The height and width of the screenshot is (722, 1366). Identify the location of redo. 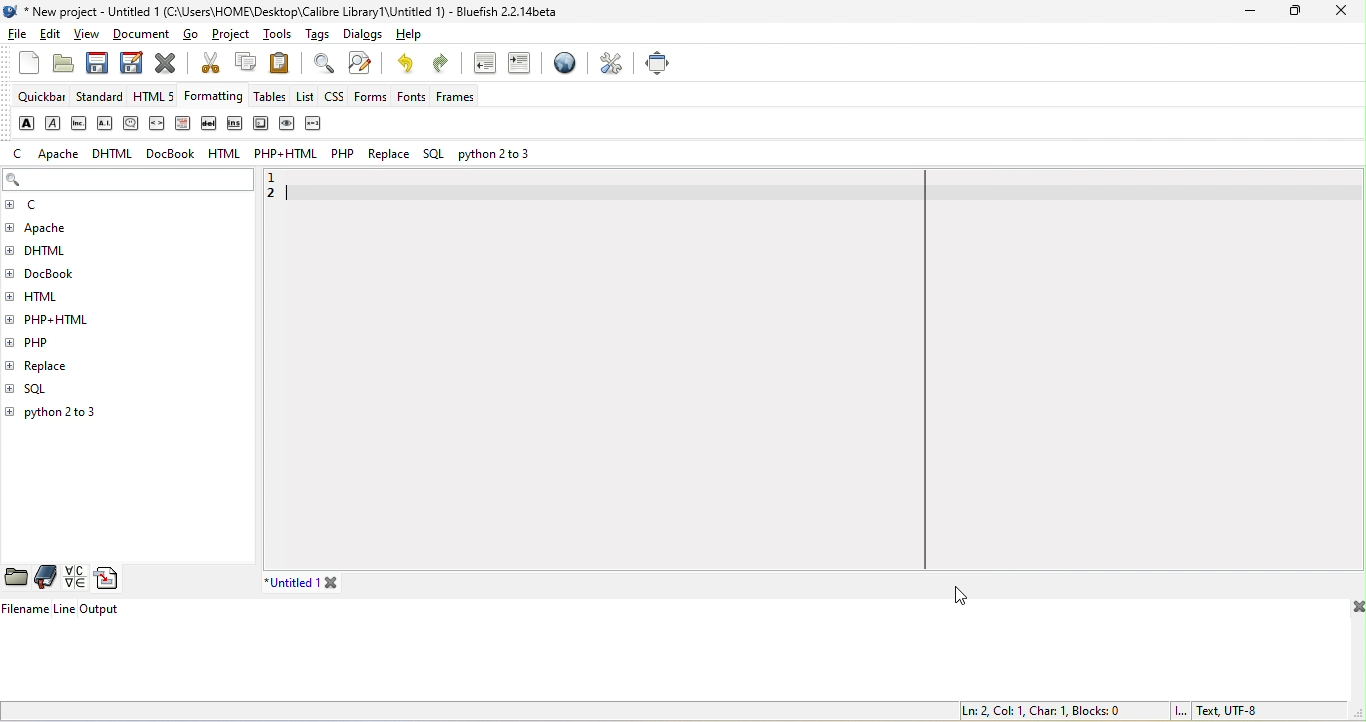
(445, 66).